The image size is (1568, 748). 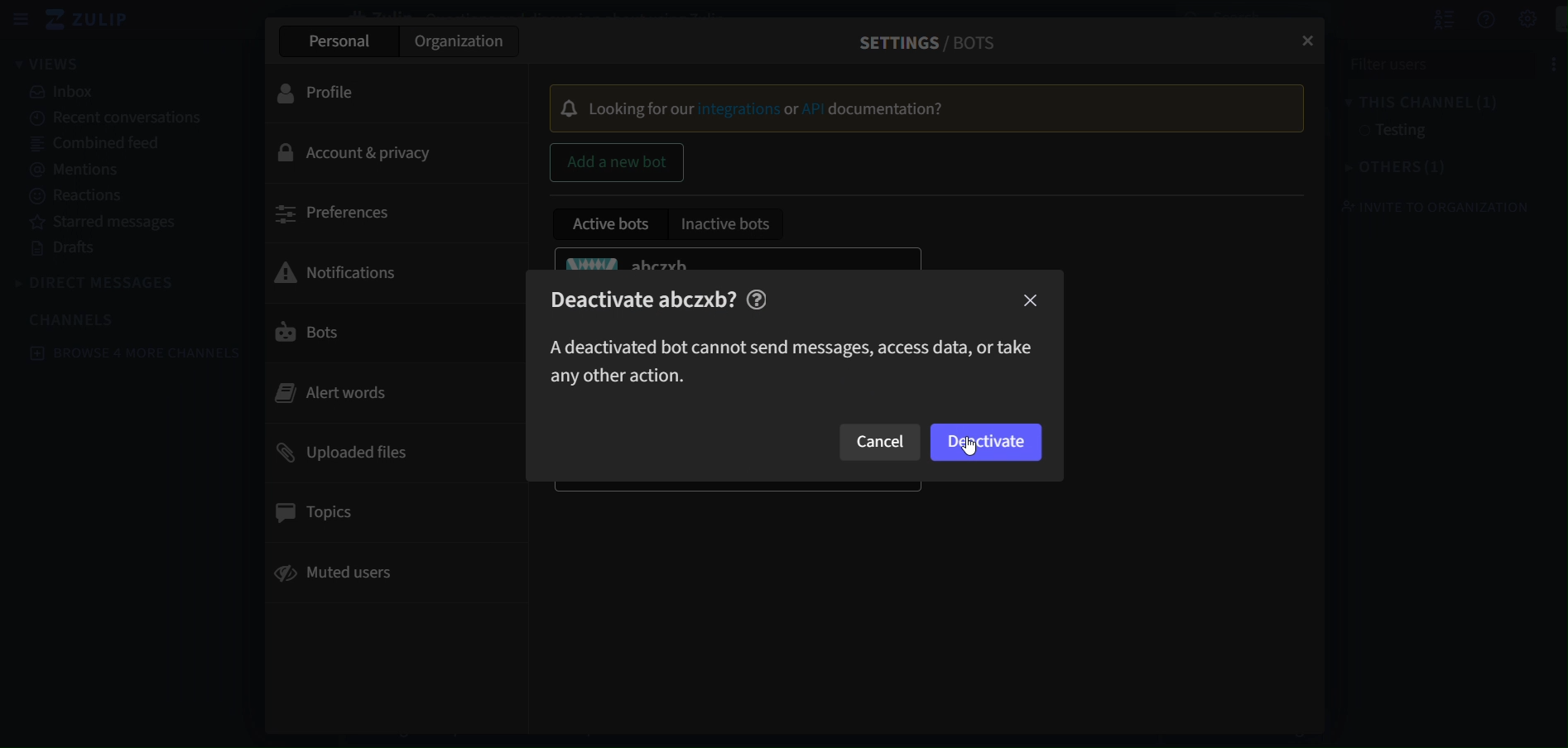 What do you see at coordinates (97, 146) in the screenshot?
I see `combined feed` at bounding box center [97, 146].